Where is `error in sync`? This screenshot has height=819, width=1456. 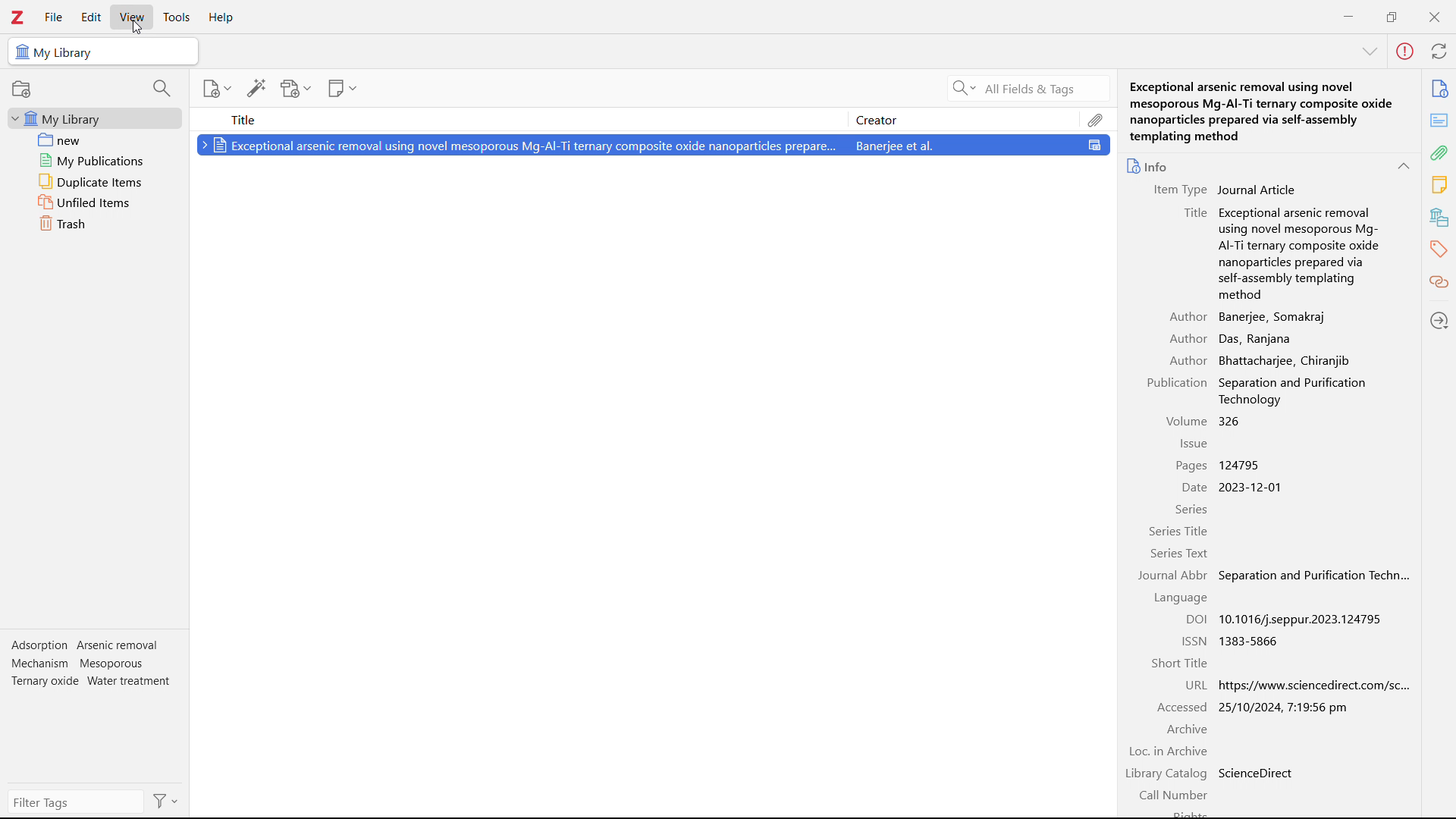
error in sync is located at coordinates (1405, 52).